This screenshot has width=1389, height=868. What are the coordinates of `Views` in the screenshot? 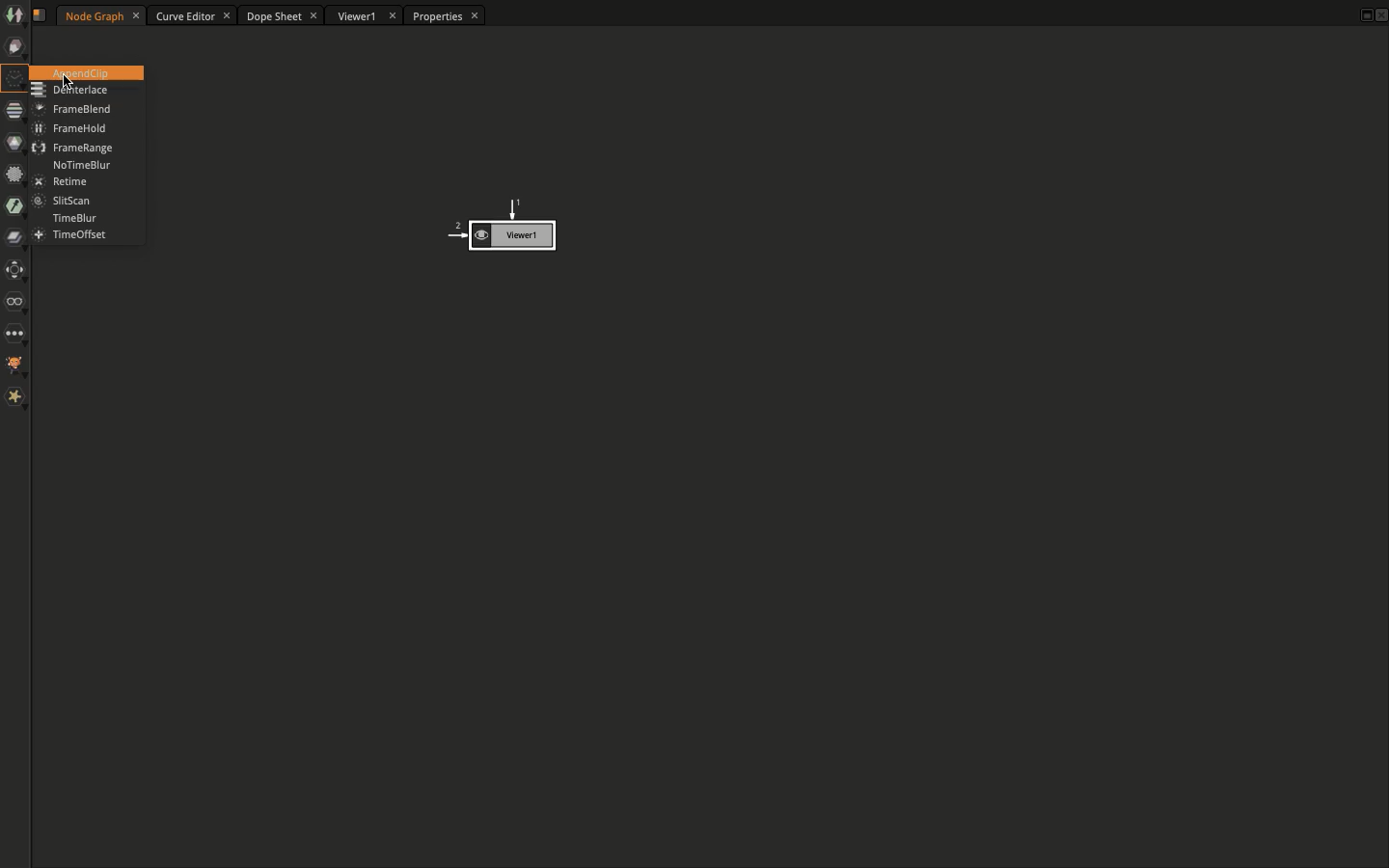 It's located at (19, 304).